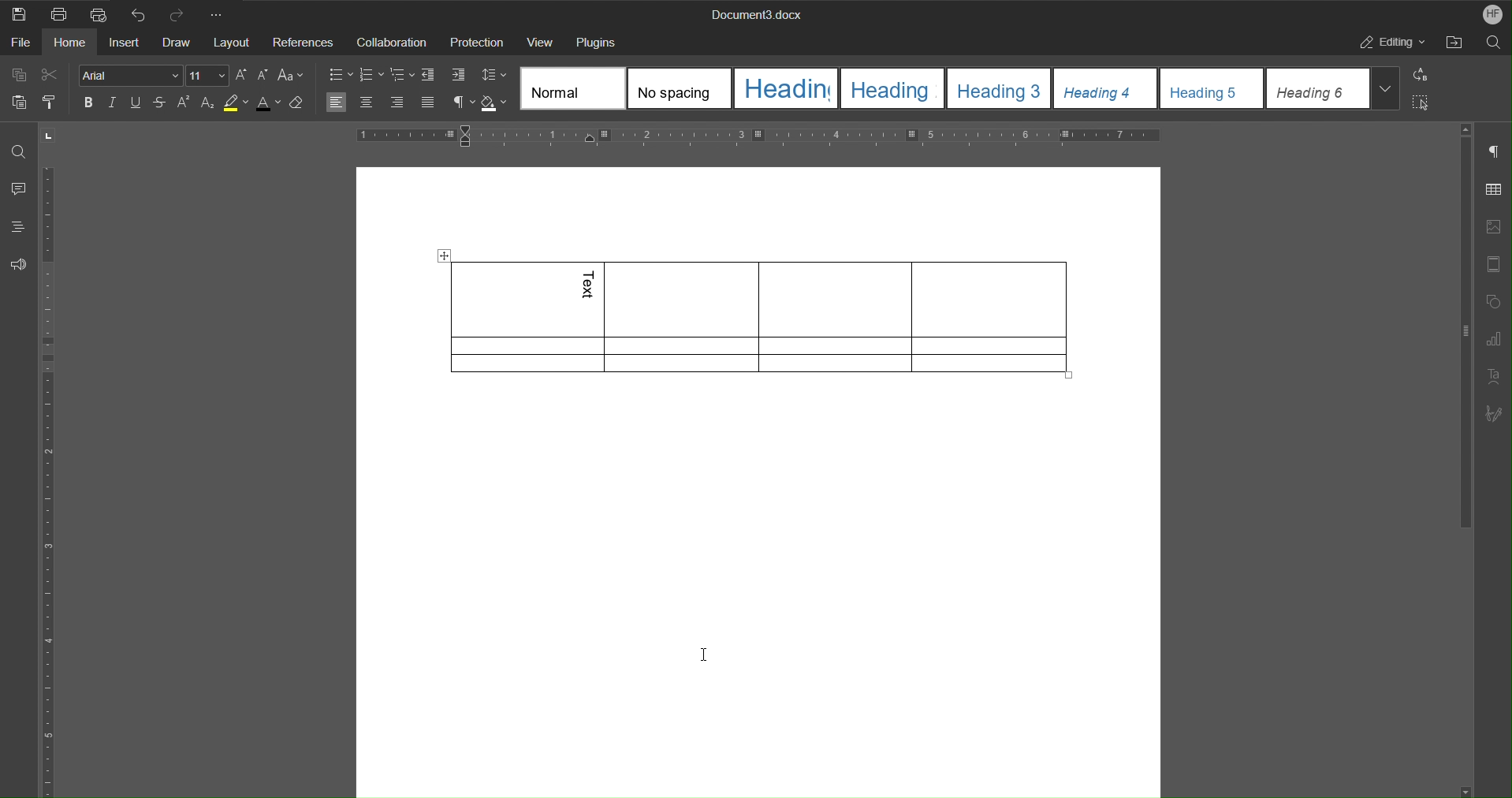  Describe the element at coordinates (233, 42) in the screenshot. I see `Layout` at that location.